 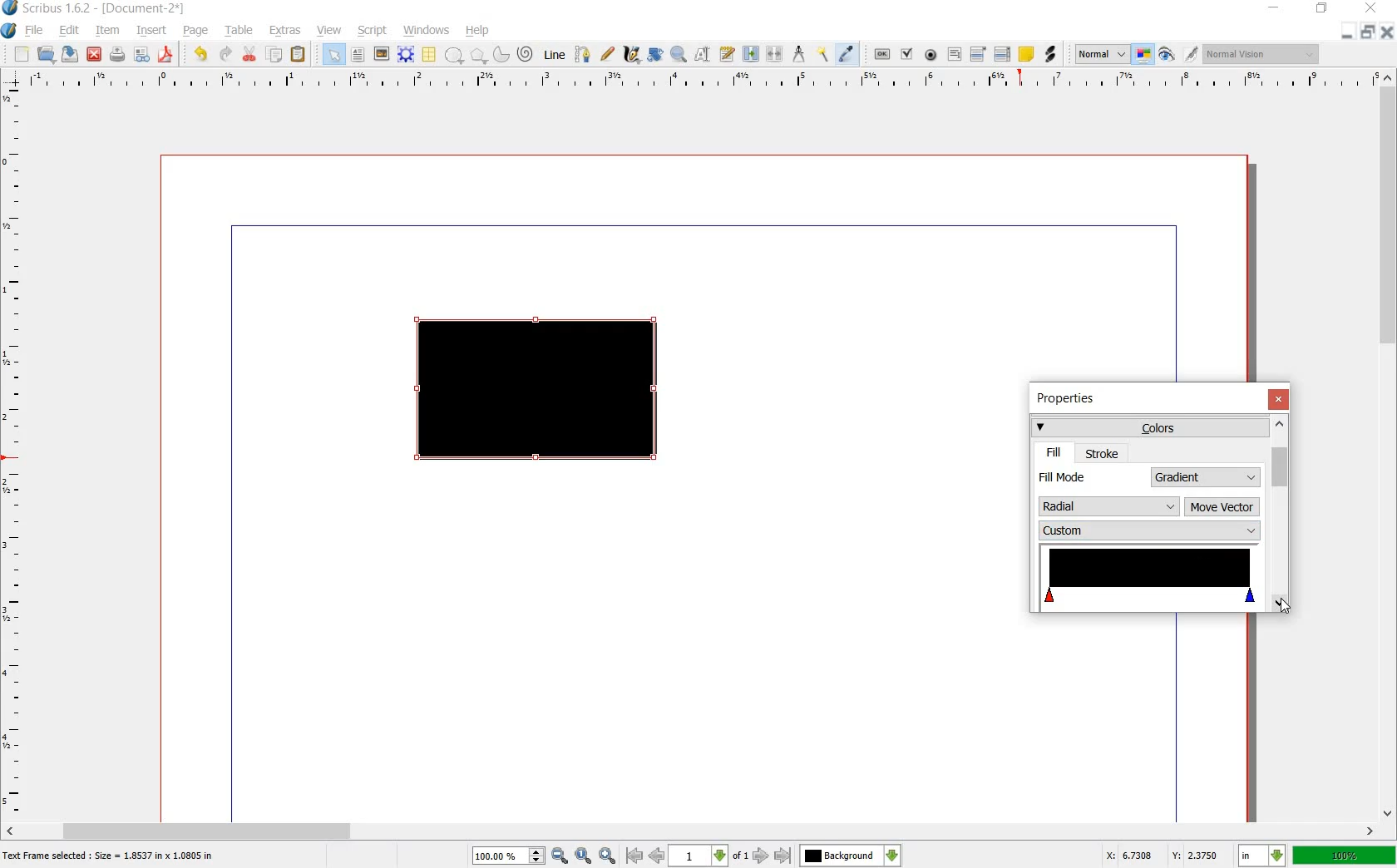 I want to click on pdf combo box, so click(x=979, y=53).